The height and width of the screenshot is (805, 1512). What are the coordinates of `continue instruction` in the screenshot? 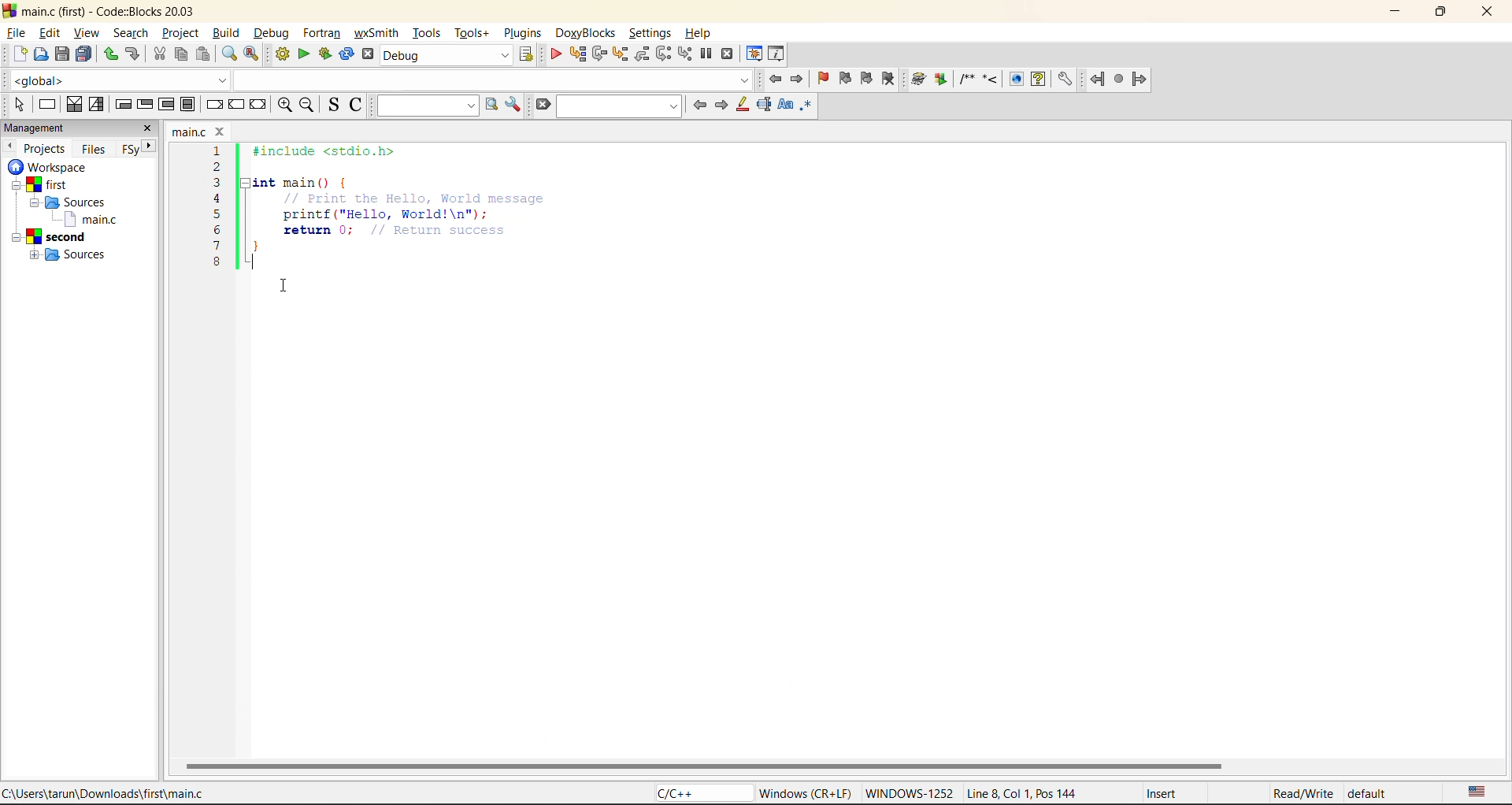 It's located at (236, 105).